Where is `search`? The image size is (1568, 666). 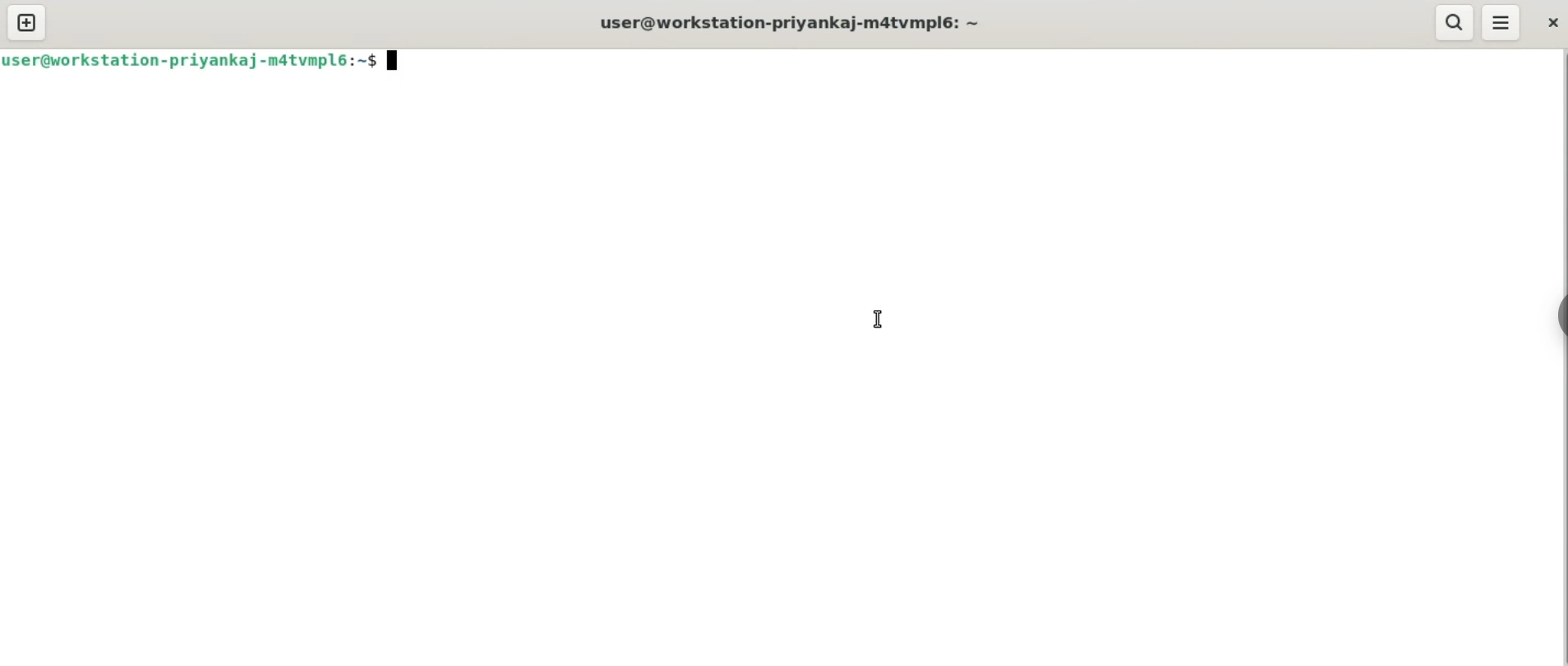 search is located at coordinates (1454, 22).